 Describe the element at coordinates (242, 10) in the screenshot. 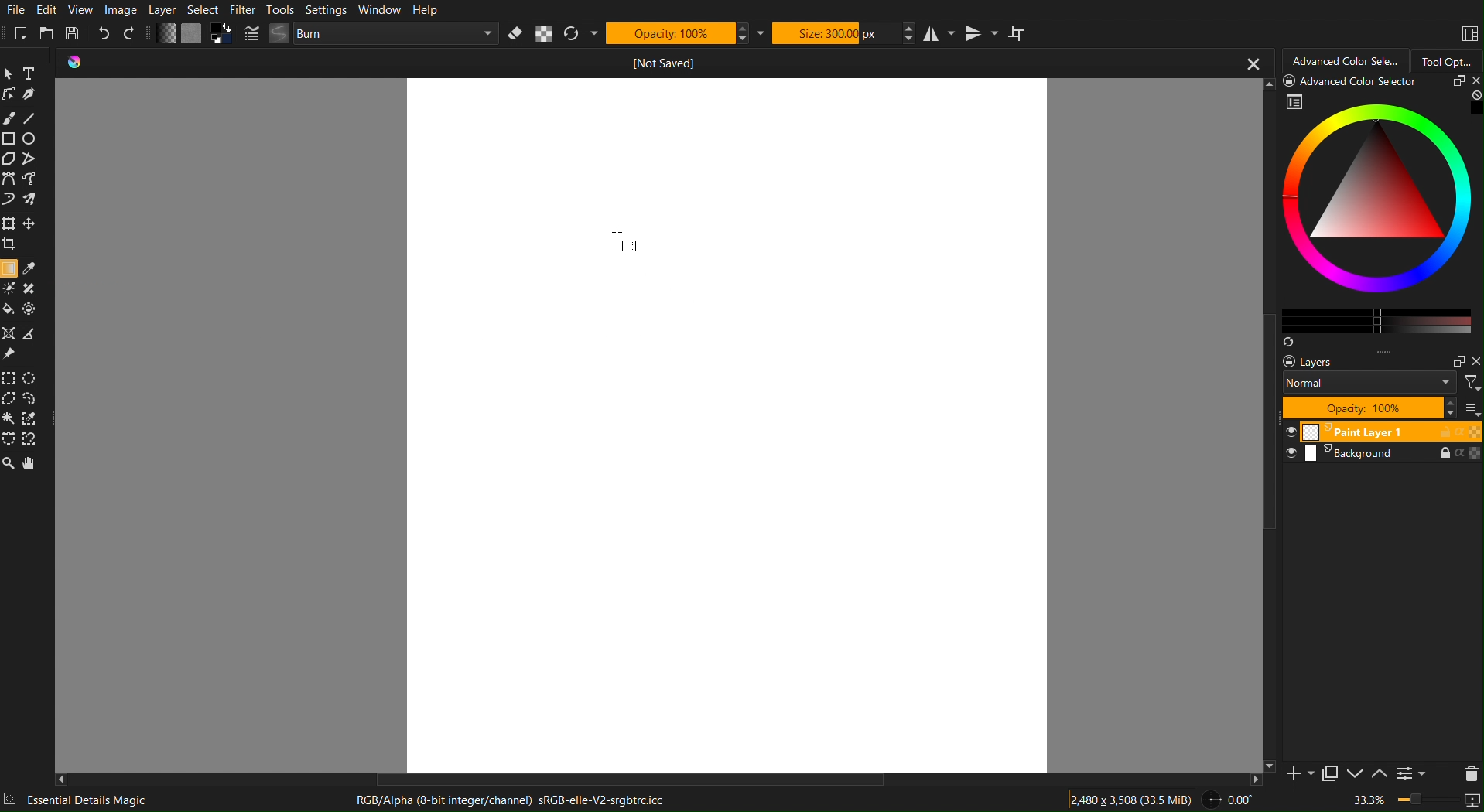

I see `Filter` at that location.